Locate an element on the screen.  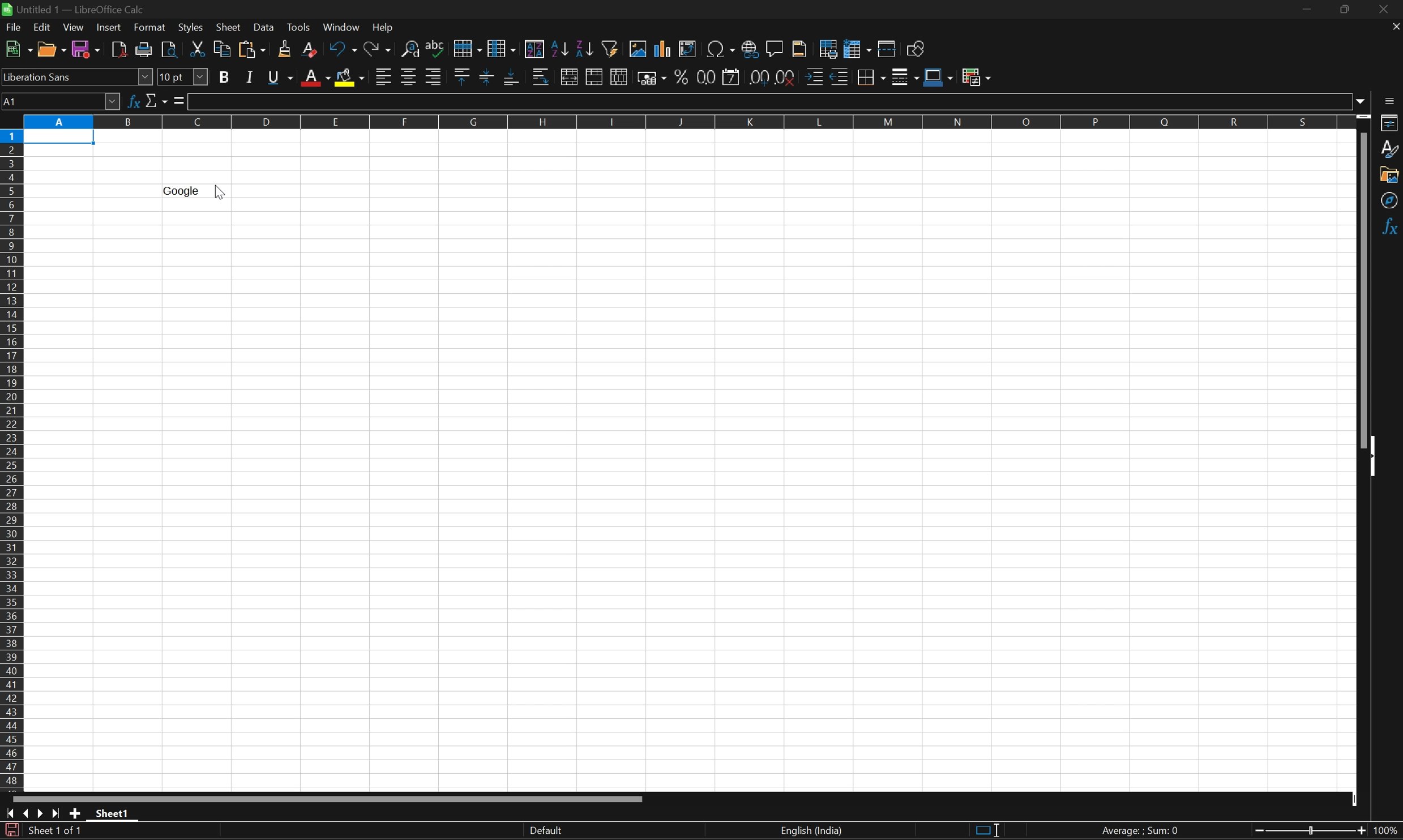
Restore down is located at coordinates (1345, 11).